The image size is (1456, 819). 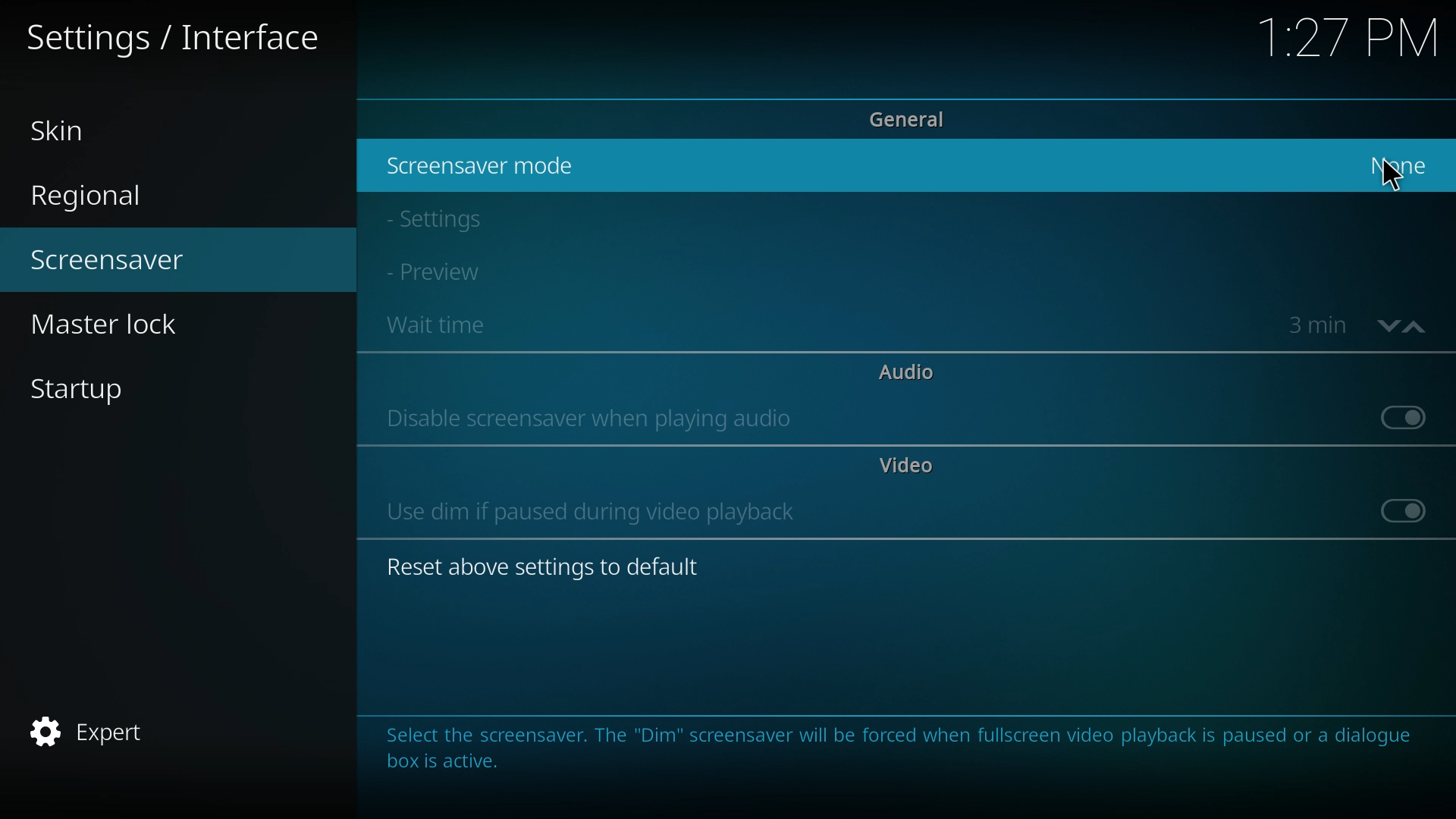 I want to click on startup, so click(x=170, y=388).